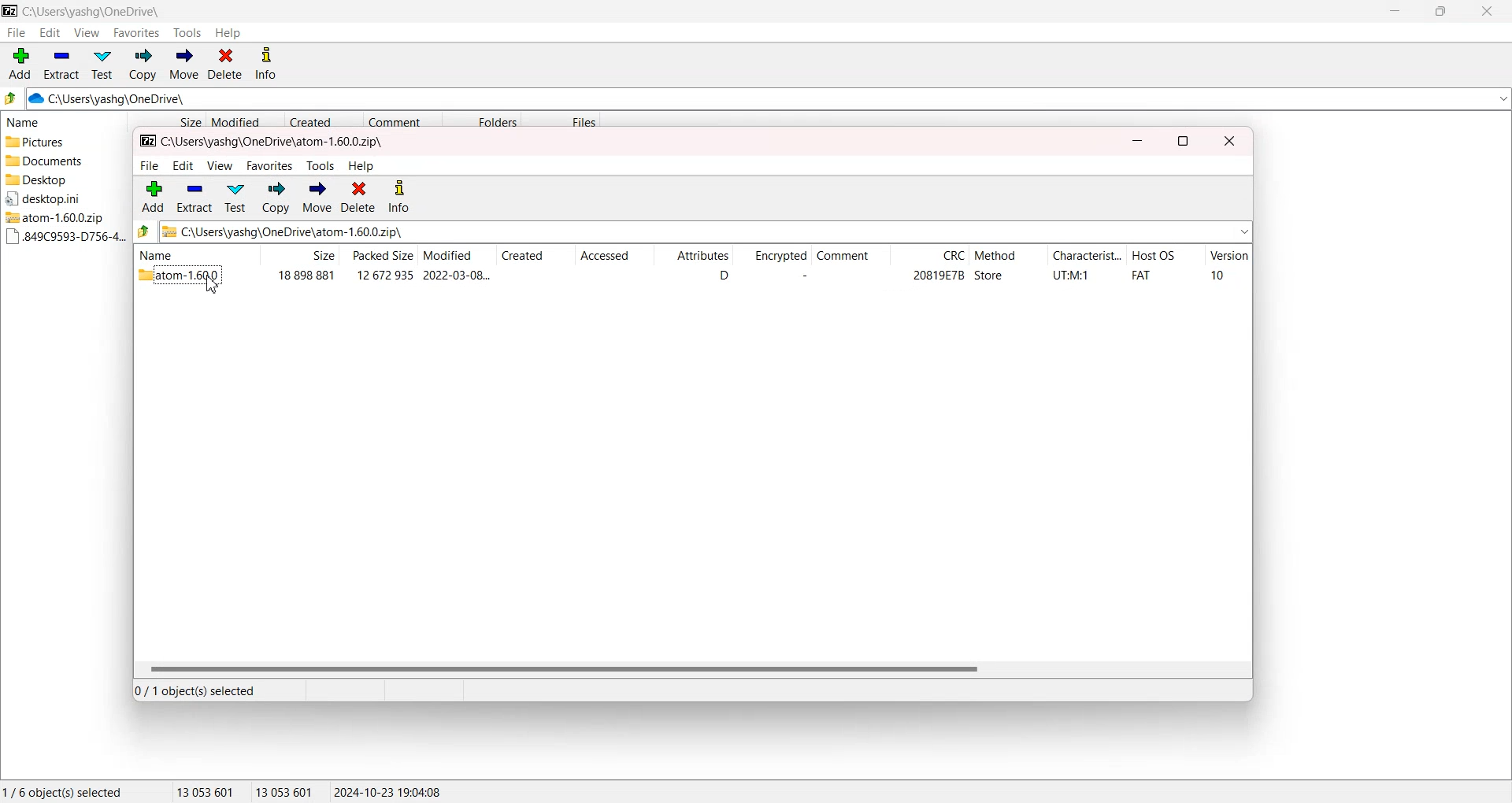 This screenshot has width=1512, height=803. I want to click on copy, so click(276, 198).